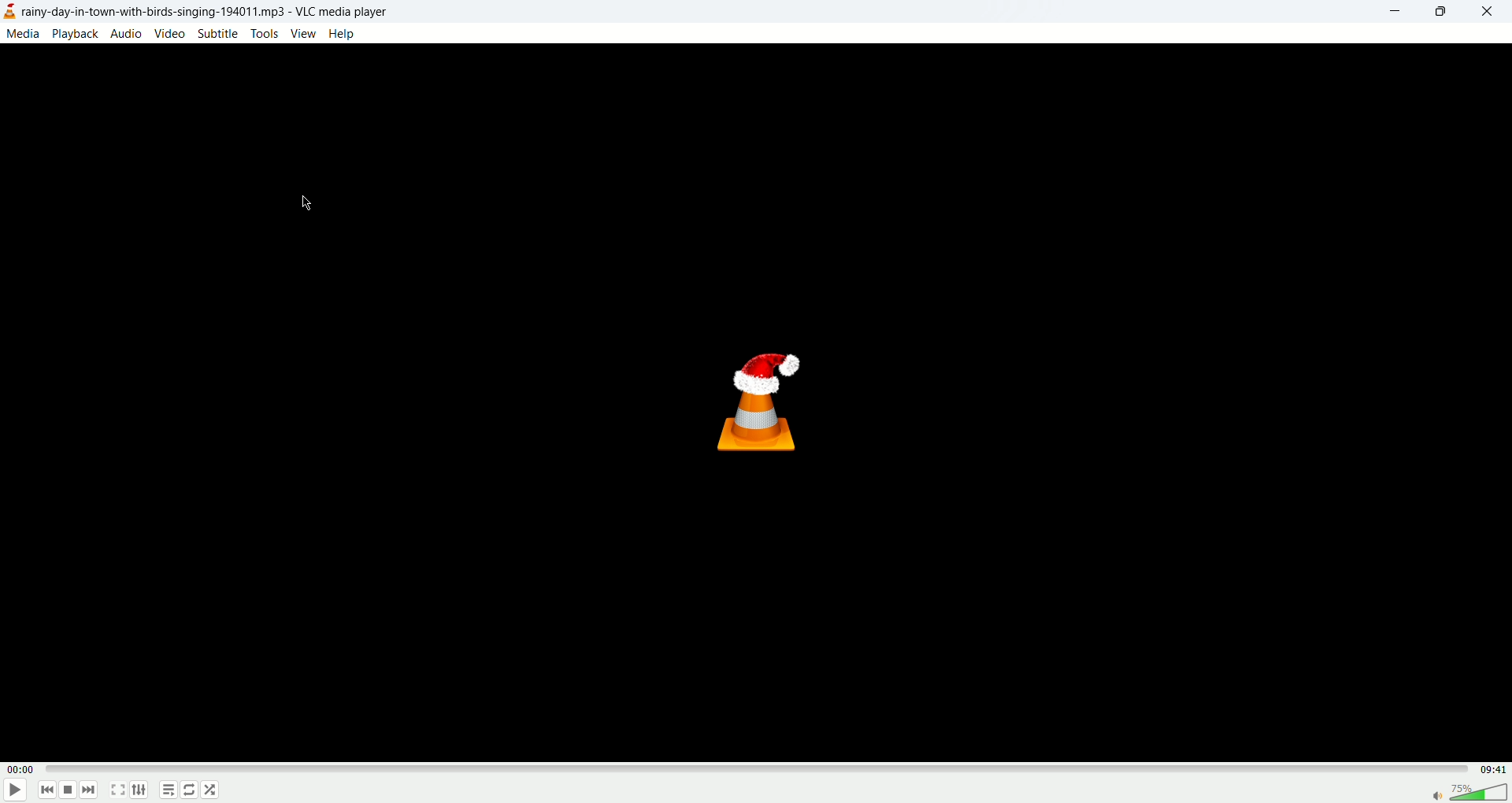  Describe the element at coordinates (48, 791) in the screenshot. I see `previous` at that location.